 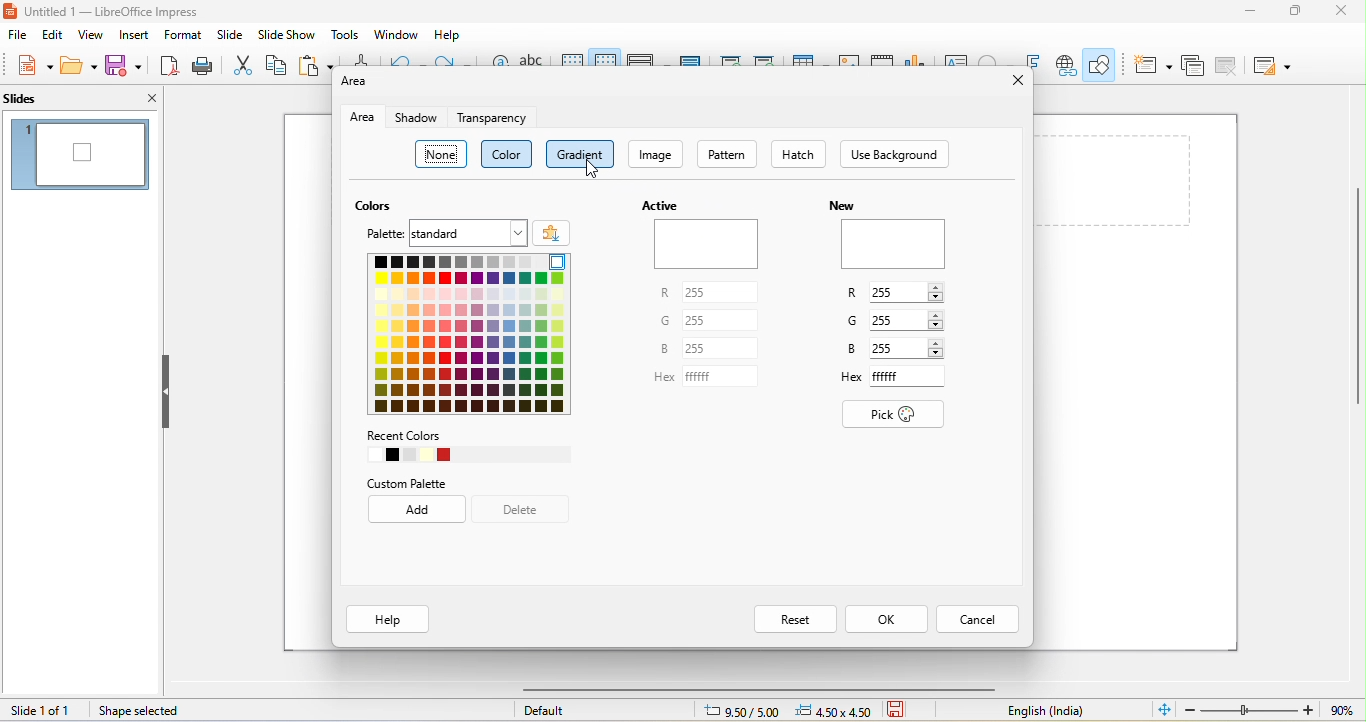 I want to click on slide 1 of 1, so click(x=43, y=711).